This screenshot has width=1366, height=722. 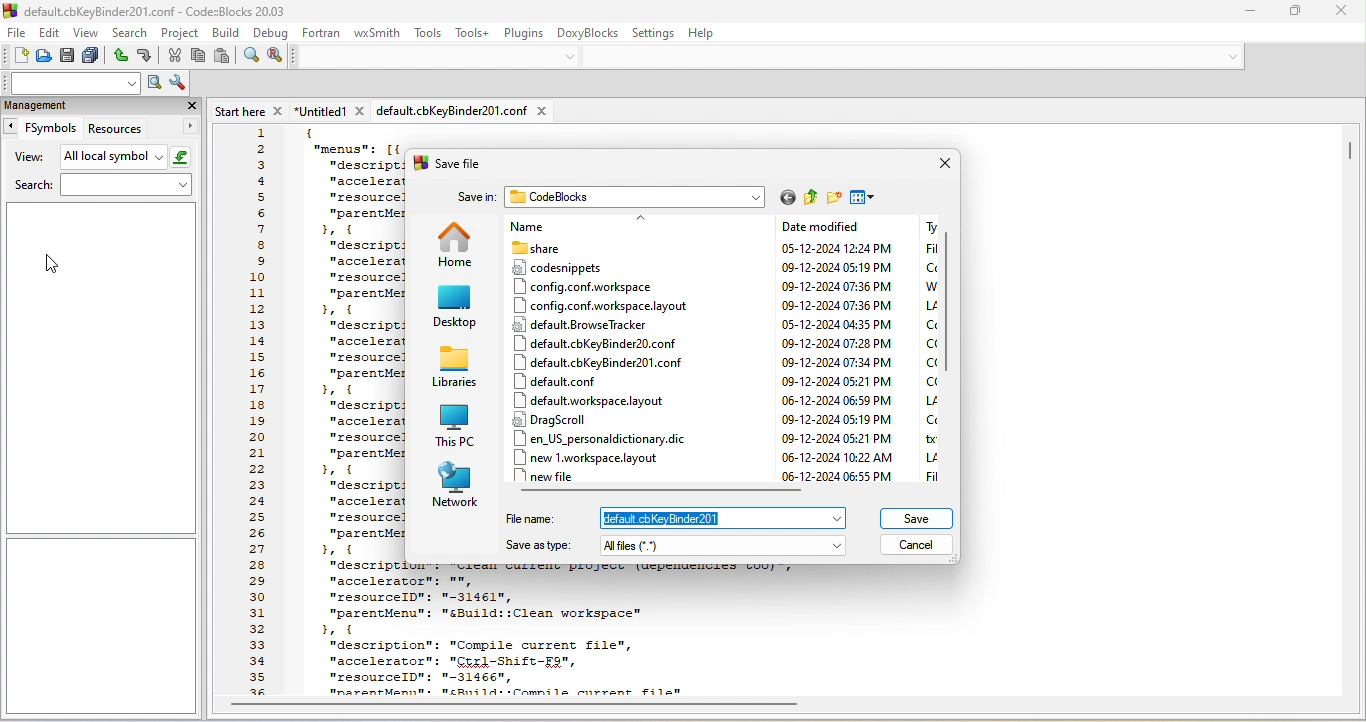 I want to click on logo, so click(x=10, y=11).